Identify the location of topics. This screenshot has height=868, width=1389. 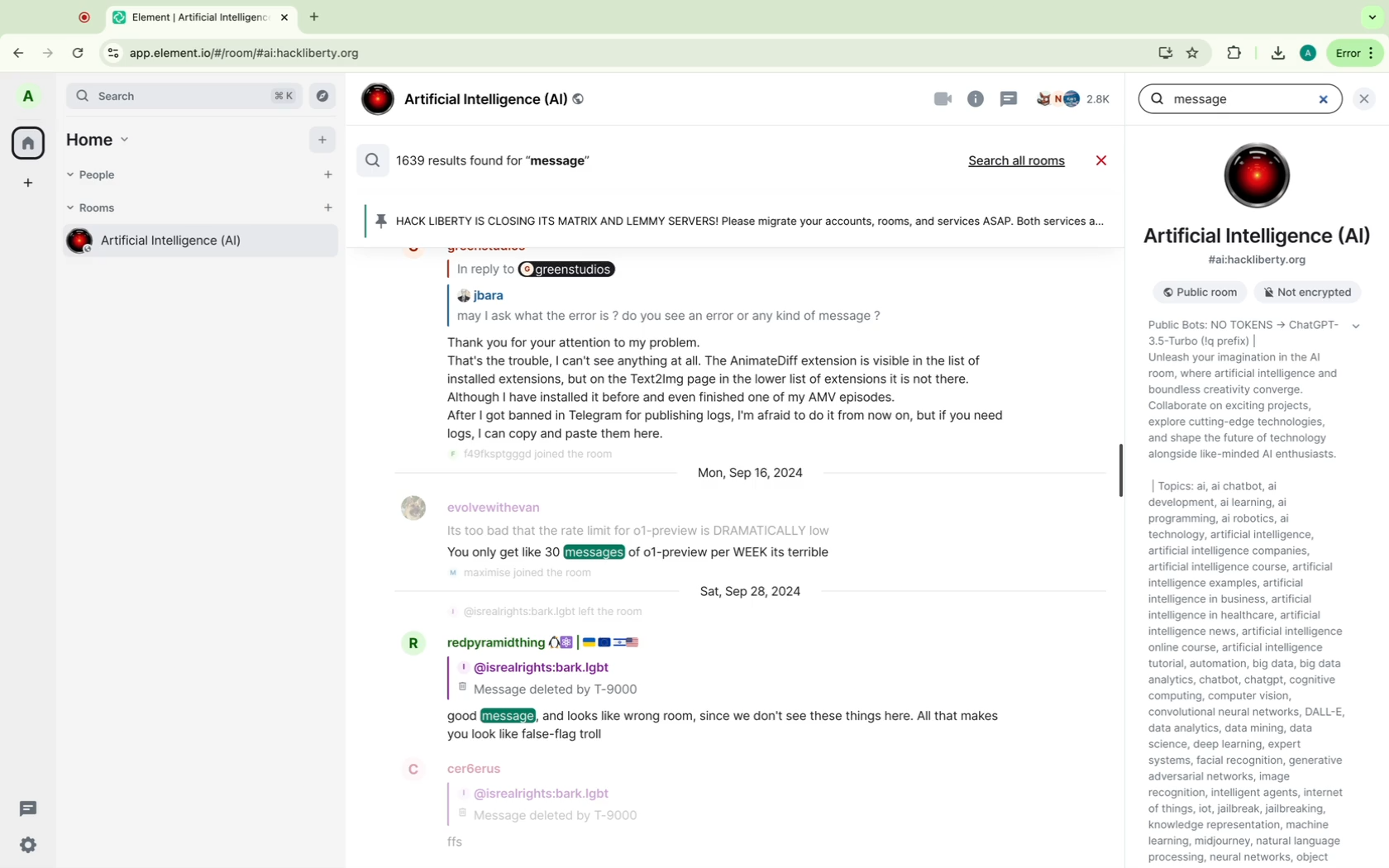
(1264, 673).